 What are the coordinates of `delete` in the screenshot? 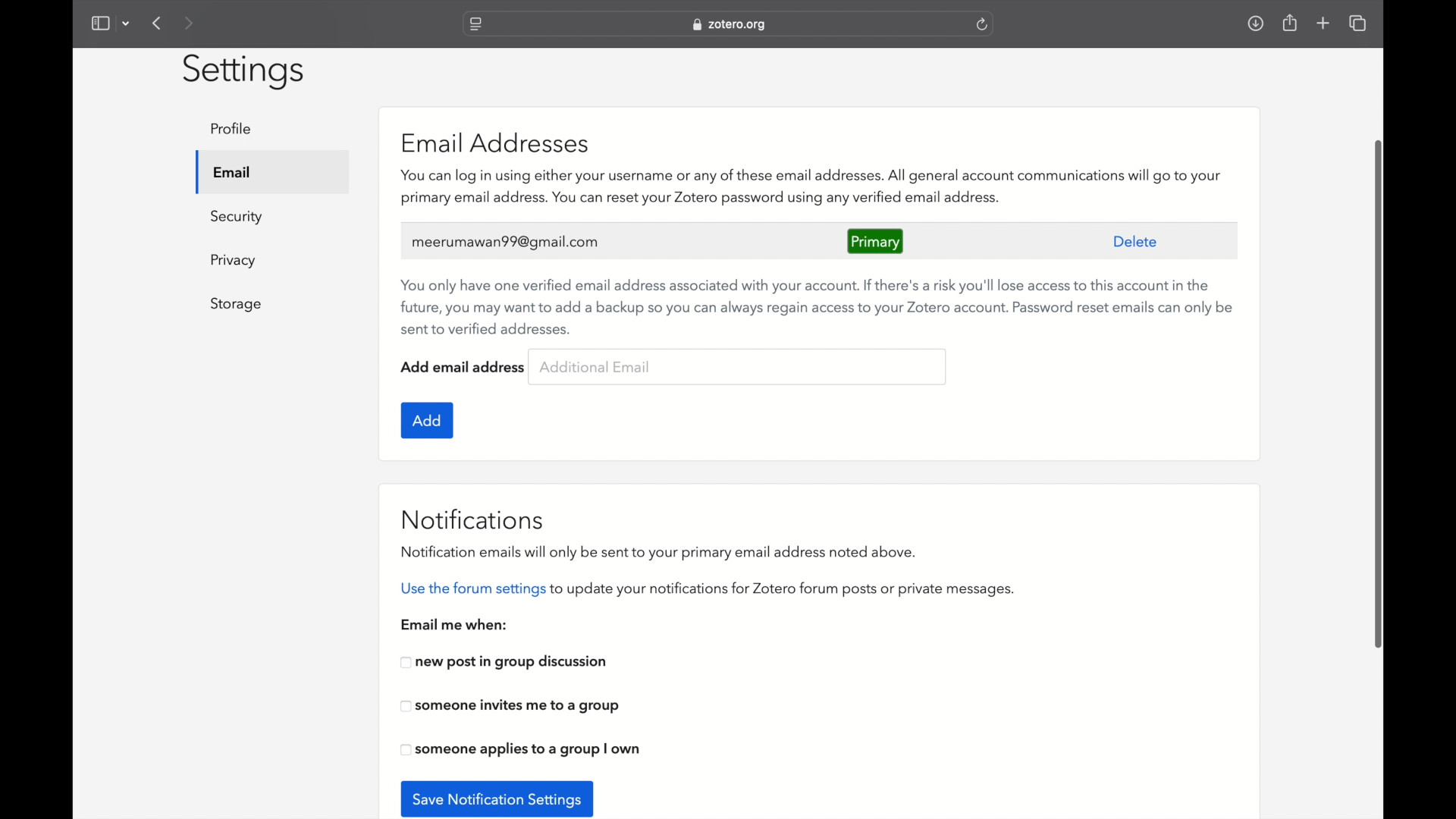 It's located at (1134, 240).